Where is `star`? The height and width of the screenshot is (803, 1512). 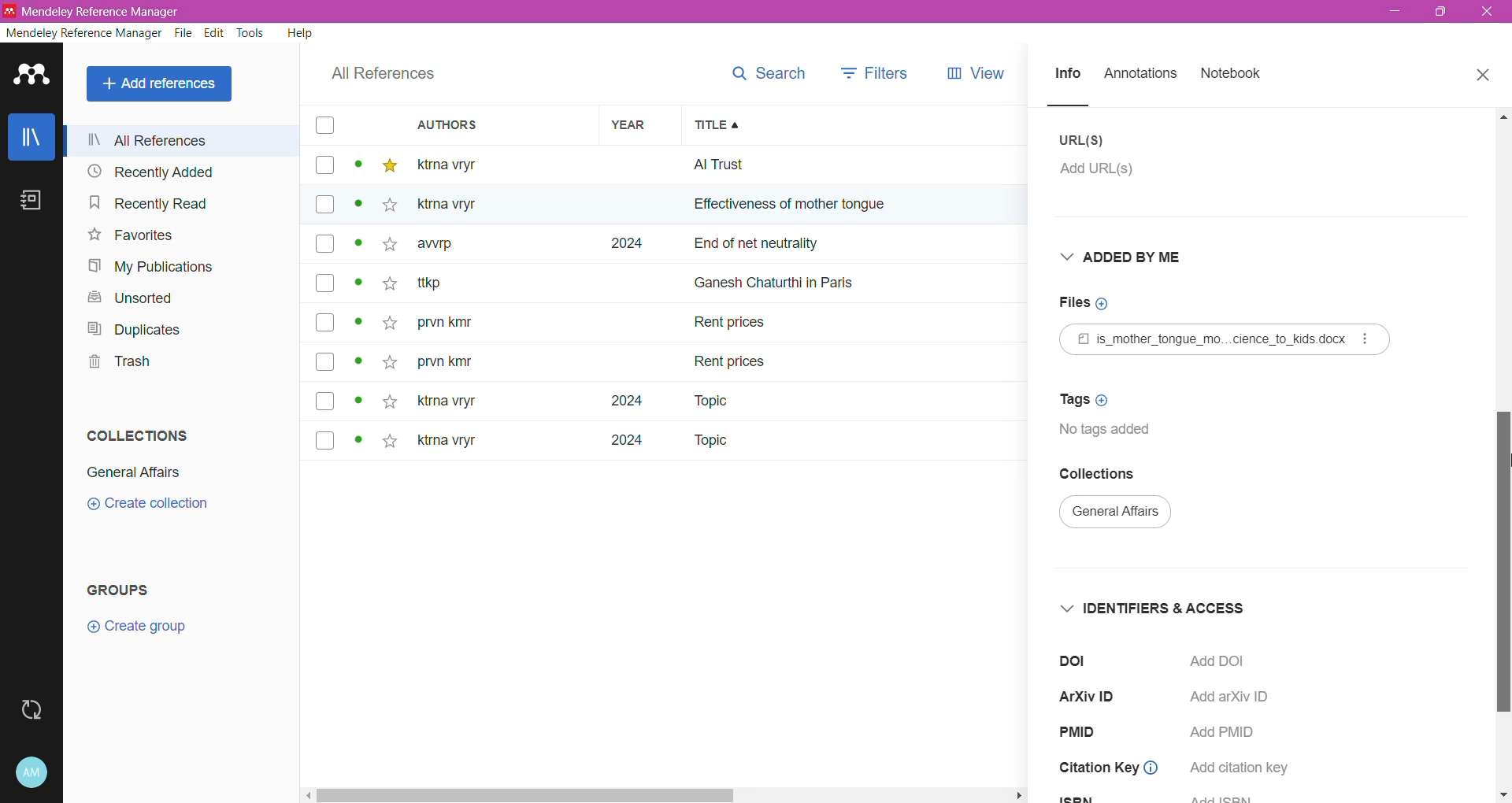
star is located at coordinates (389, 166).